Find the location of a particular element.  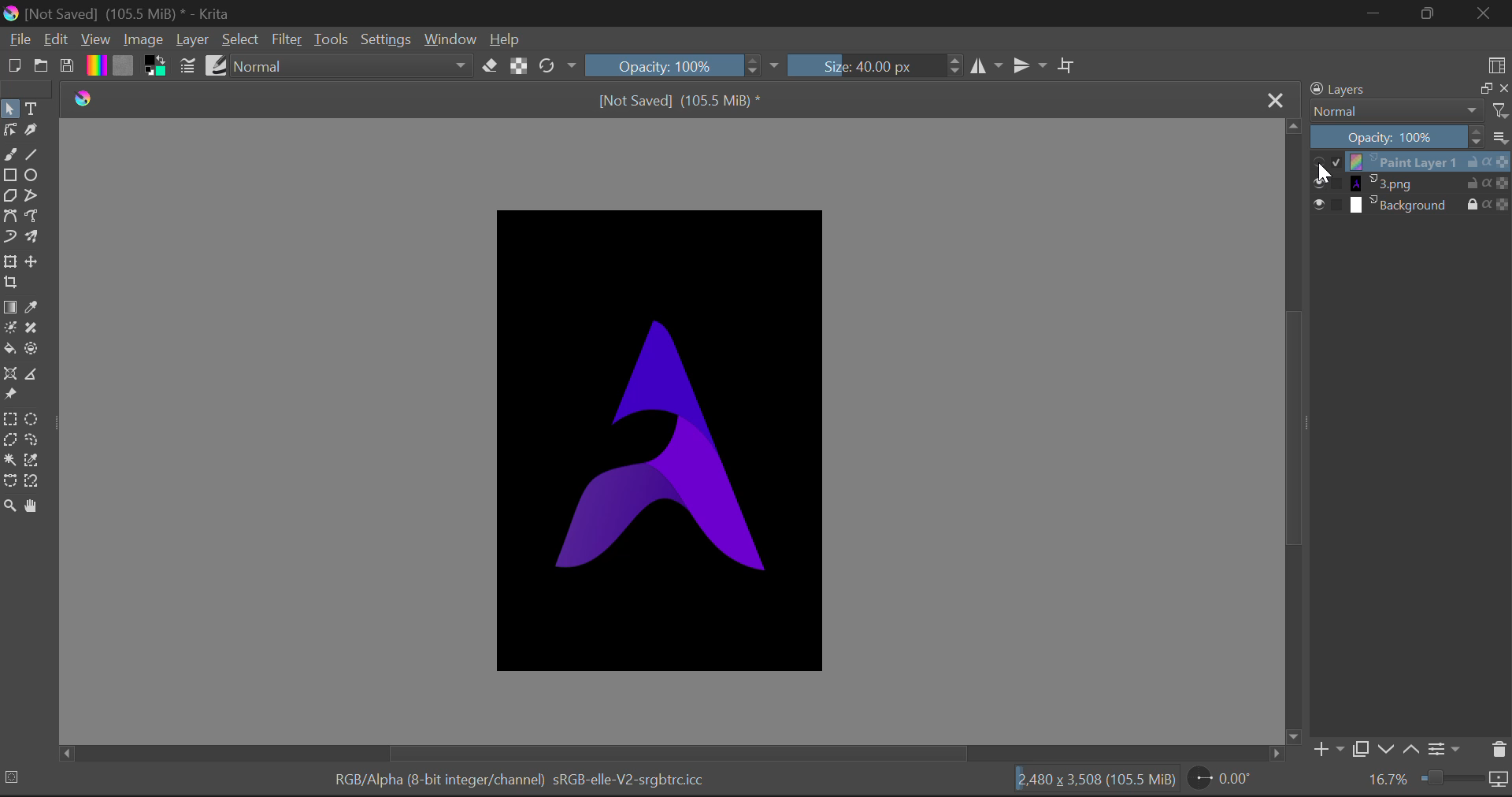

lock layer is located at coordinates (1478, 162).